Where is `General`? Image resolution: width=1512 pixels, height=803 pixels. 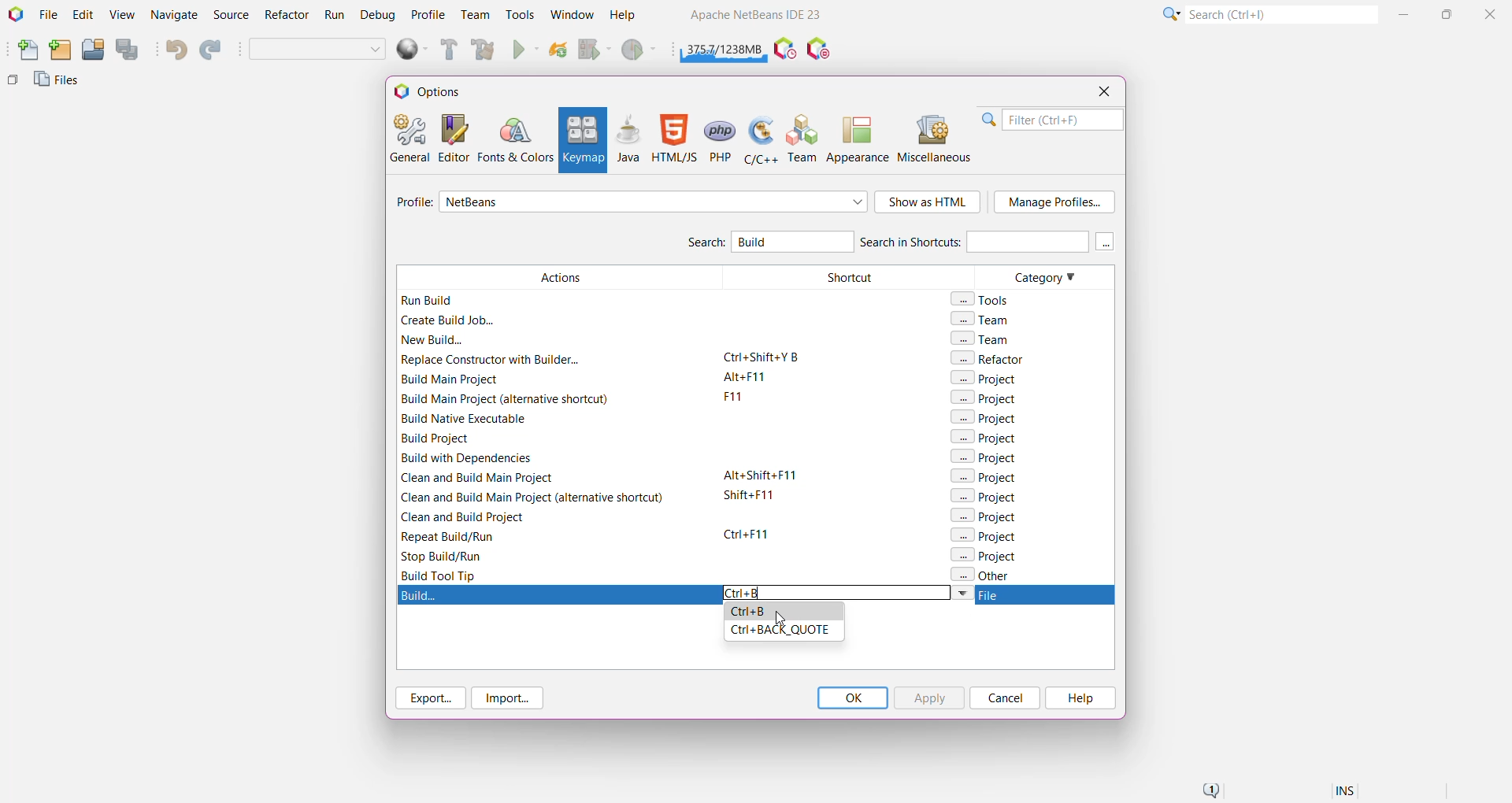
General is located at coordinates (408, 137).